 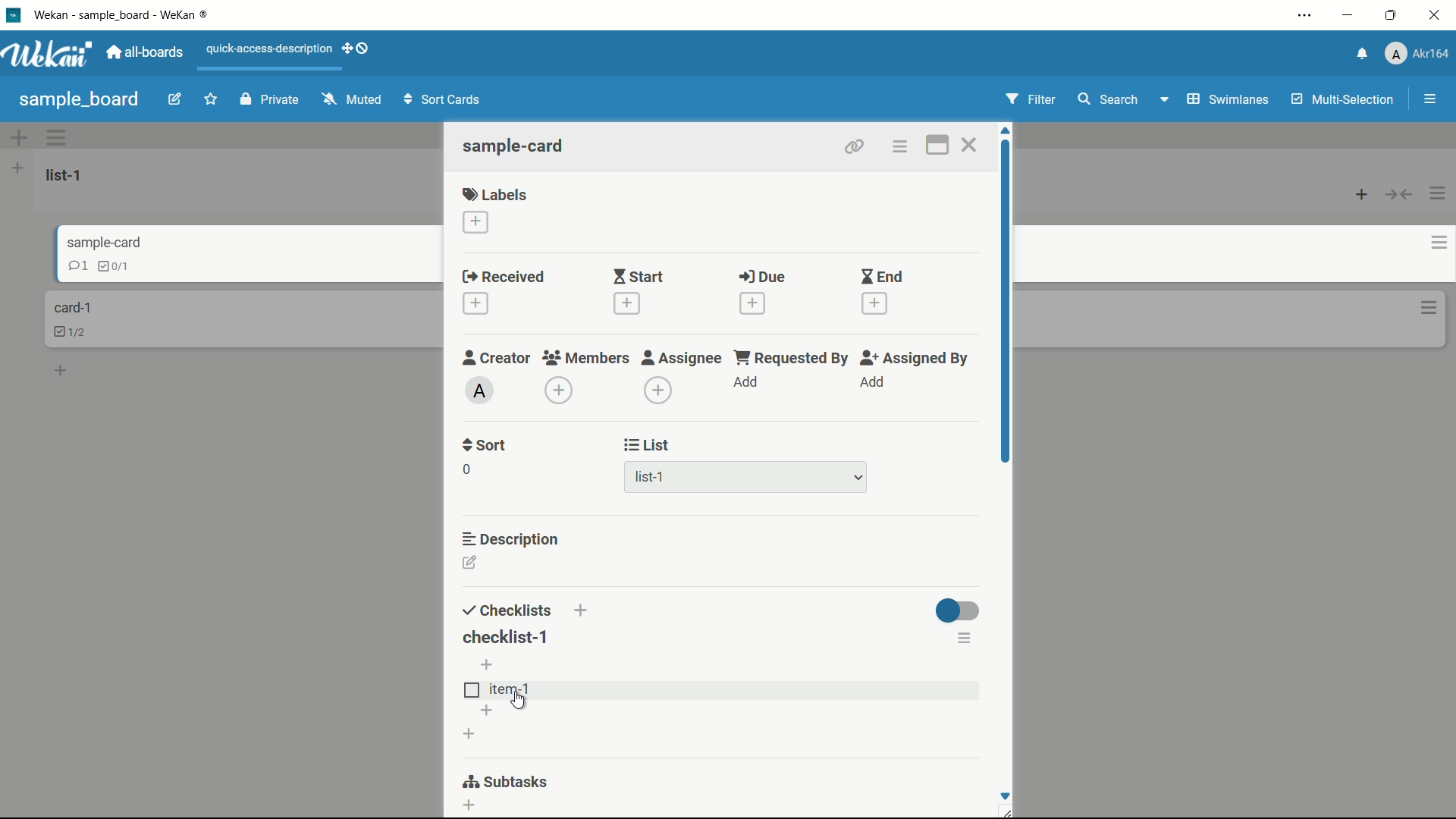 I want to click on end, so click(x=882, y=276).